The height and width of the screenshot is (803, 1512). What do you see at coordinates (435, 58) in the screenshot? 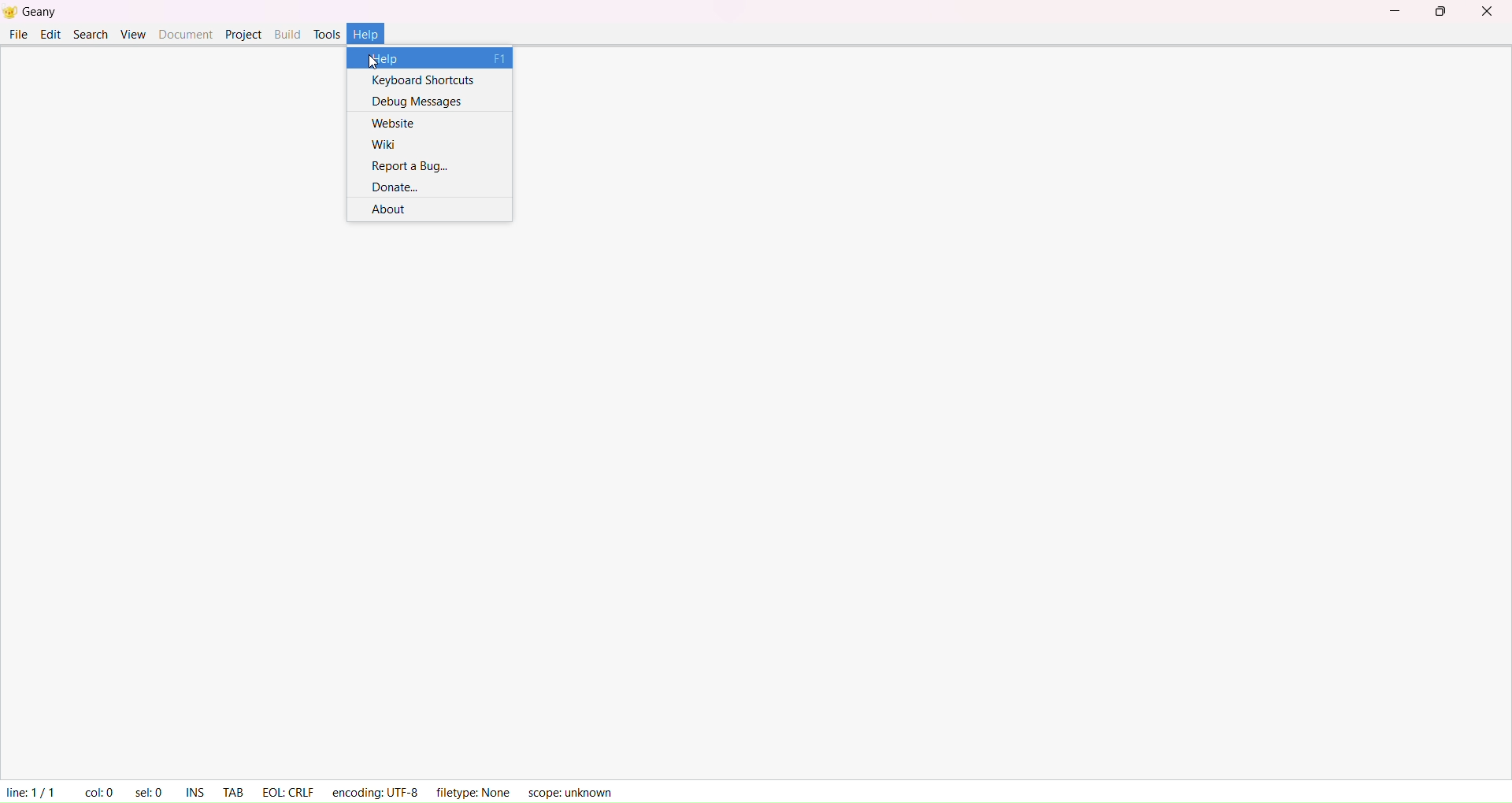
I see `help` at bounding box center [435, 58].